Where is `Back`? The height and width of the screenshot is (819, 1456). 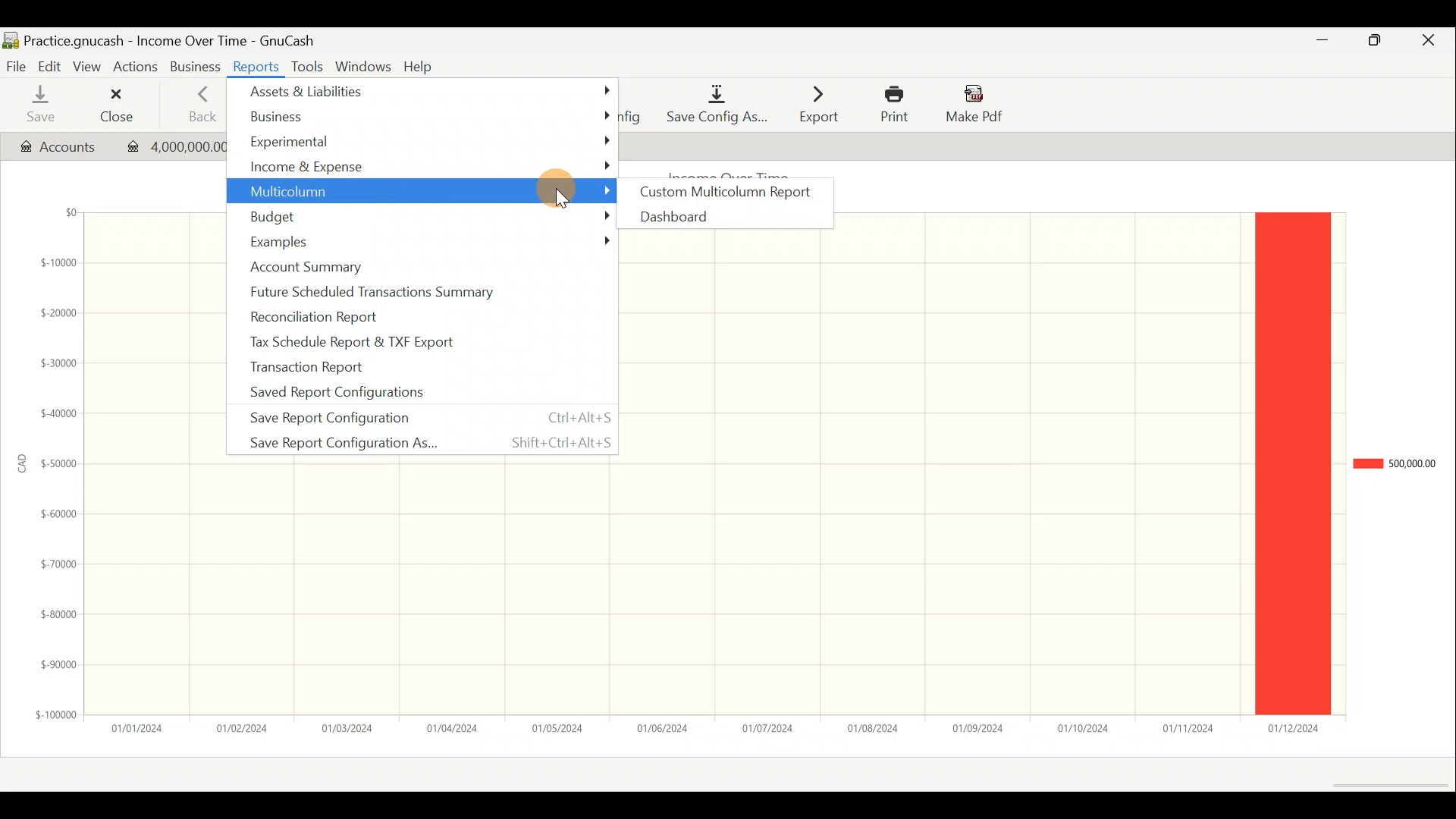
Back is located at coordinates (202, 102).